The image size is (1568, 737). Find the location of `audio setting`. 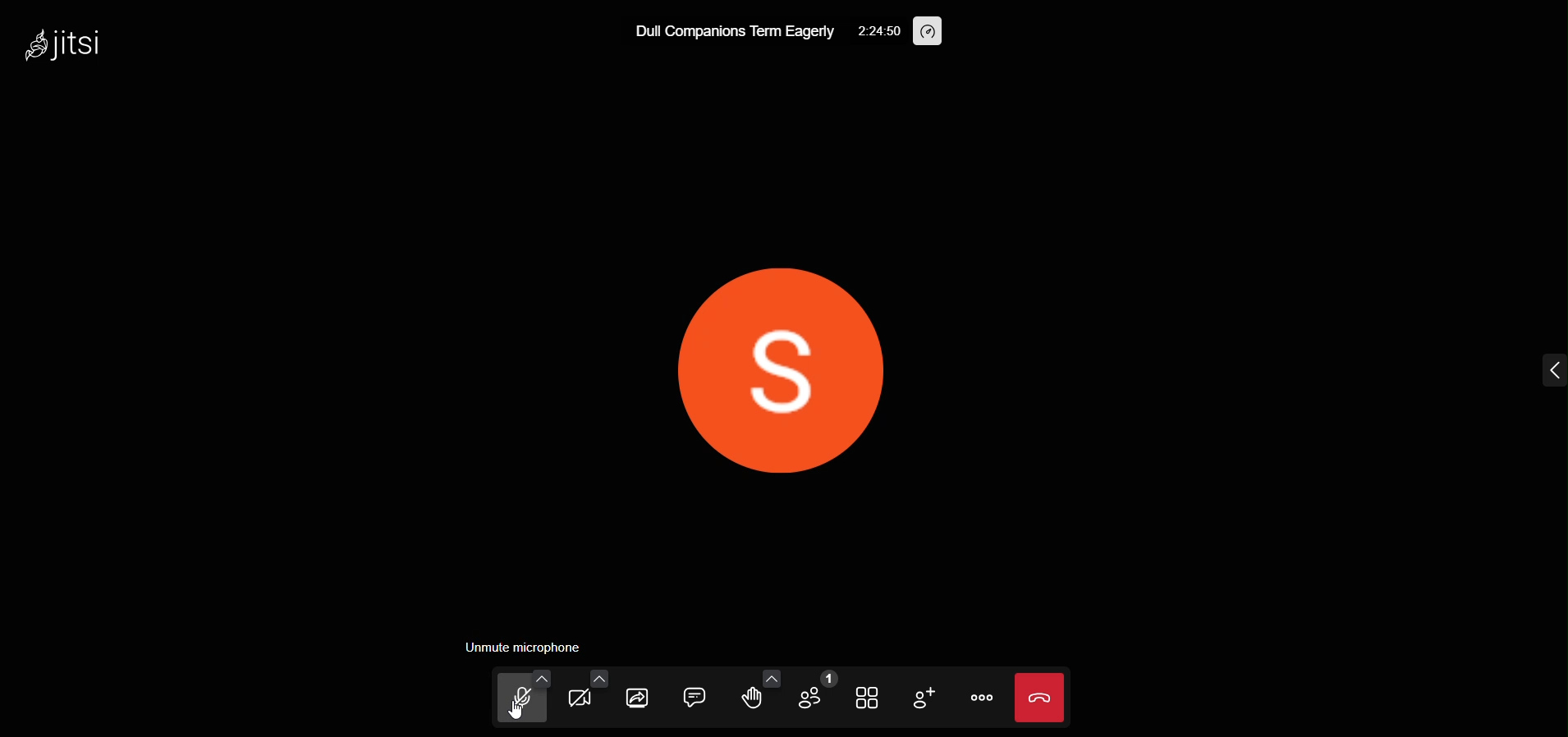

audio setting is located at coordinates (535, 676).